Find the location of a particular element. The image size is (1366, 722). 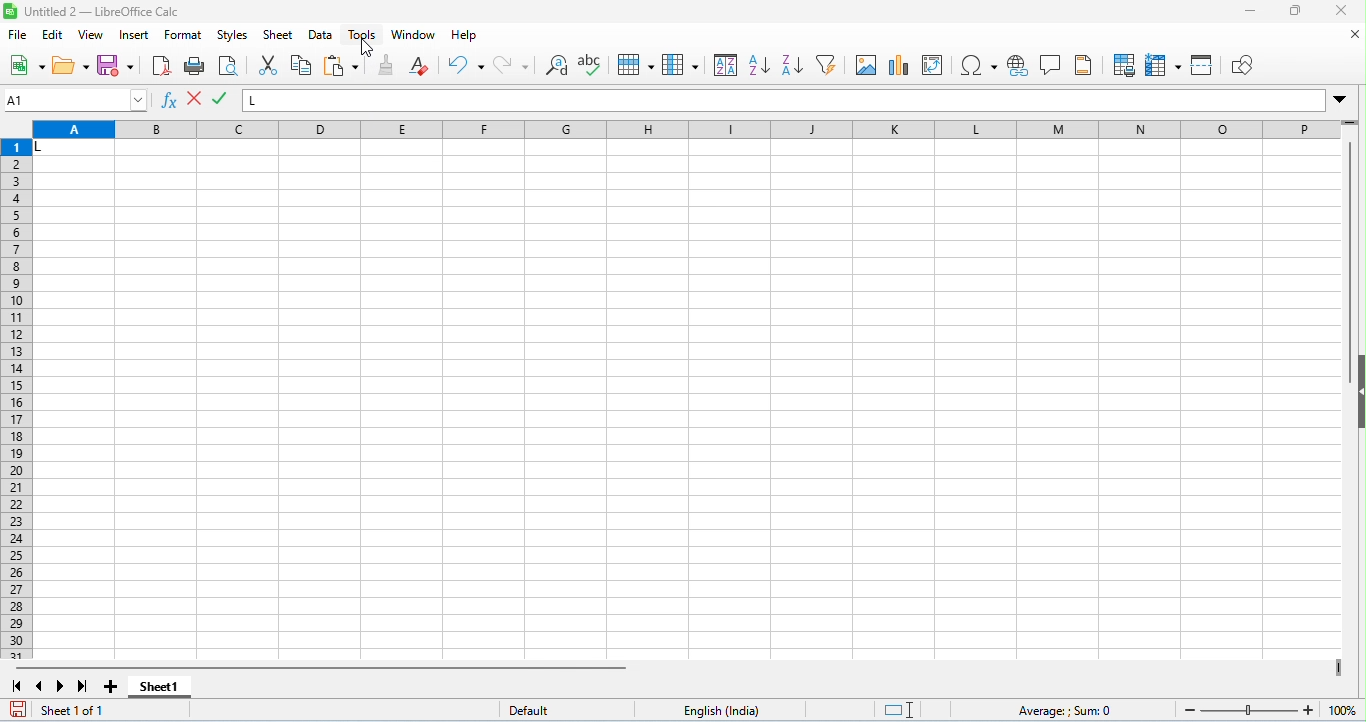

row numbers is located at coordinates (18, 399).